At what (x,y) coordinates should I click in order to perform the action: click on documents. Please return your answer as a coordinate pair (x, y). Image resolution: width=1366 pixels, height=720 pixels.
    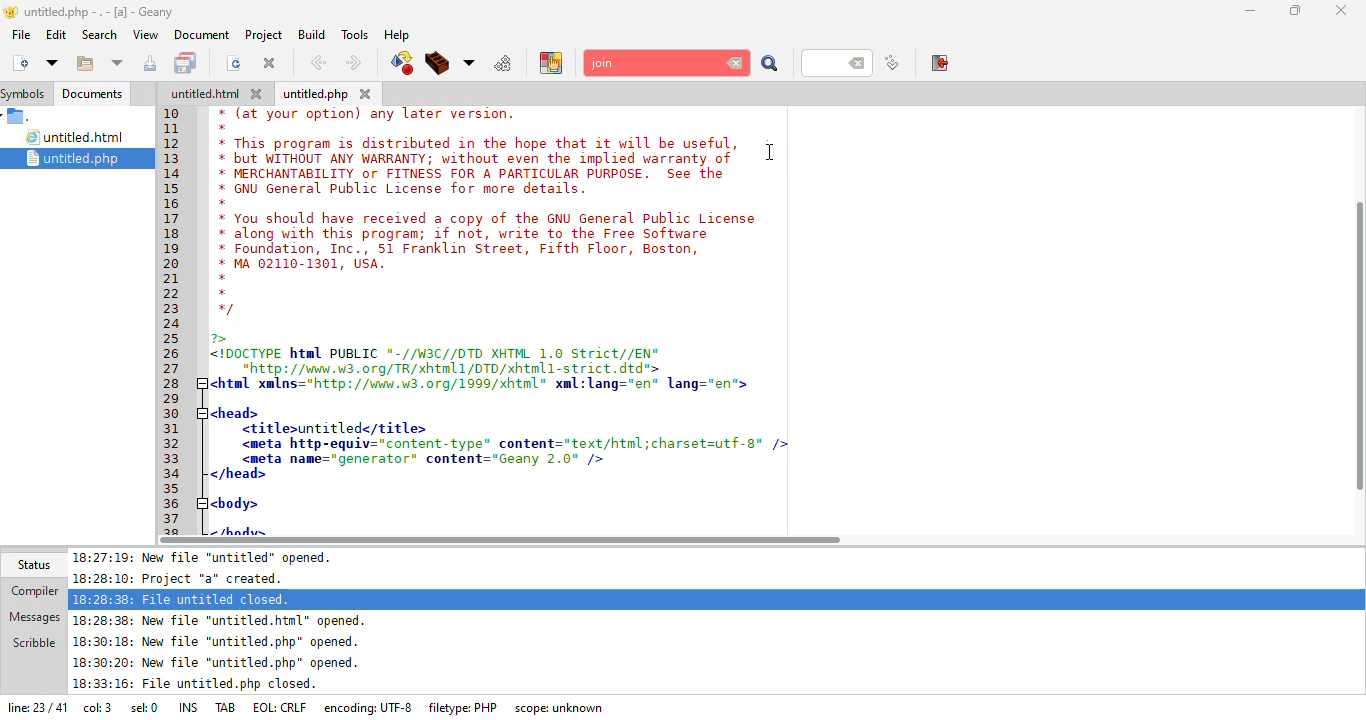
    Looking at the image, I should click on (92, 94).